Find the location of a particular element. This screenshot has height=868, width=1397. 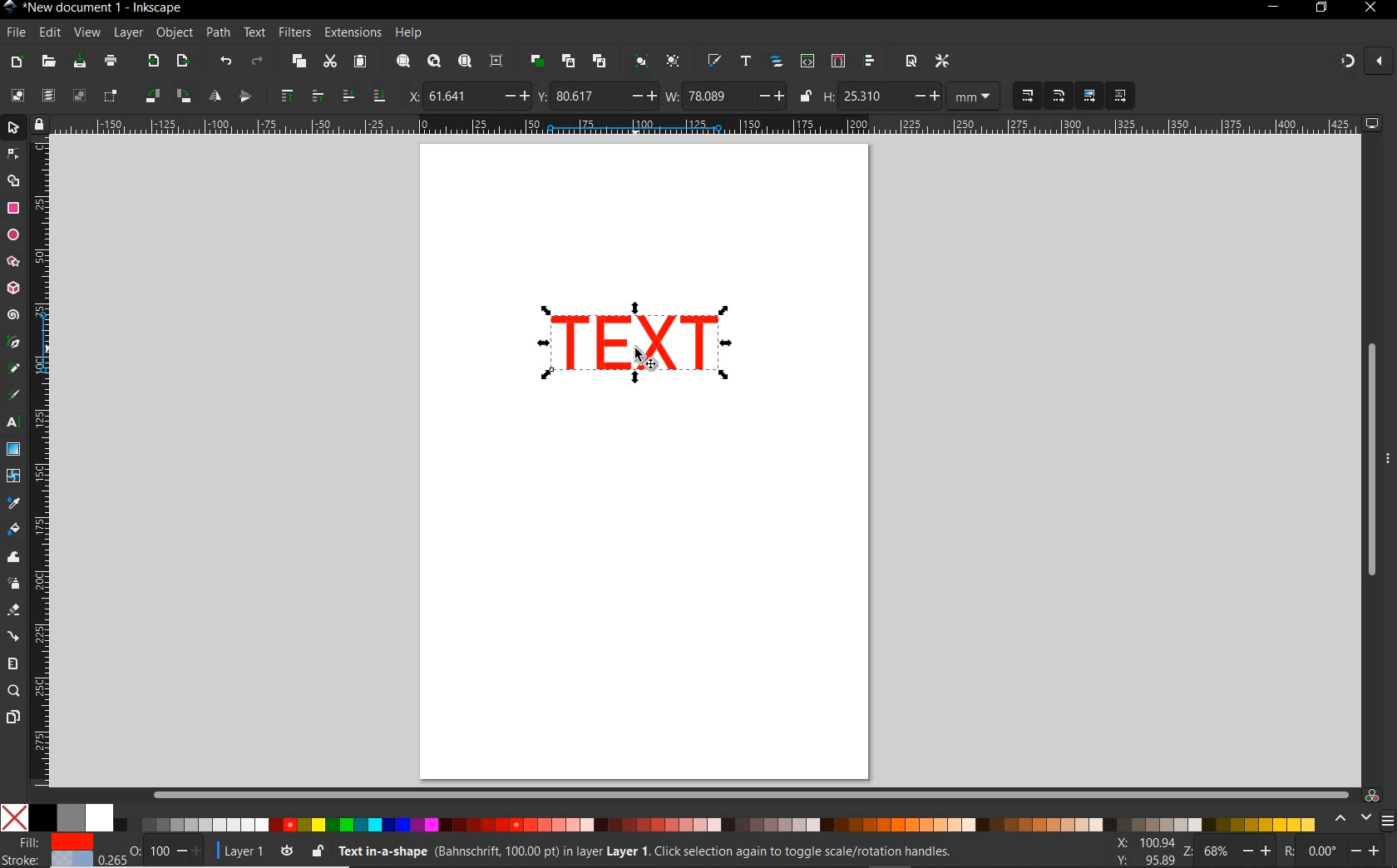

save is located at coordinates (80, 62).